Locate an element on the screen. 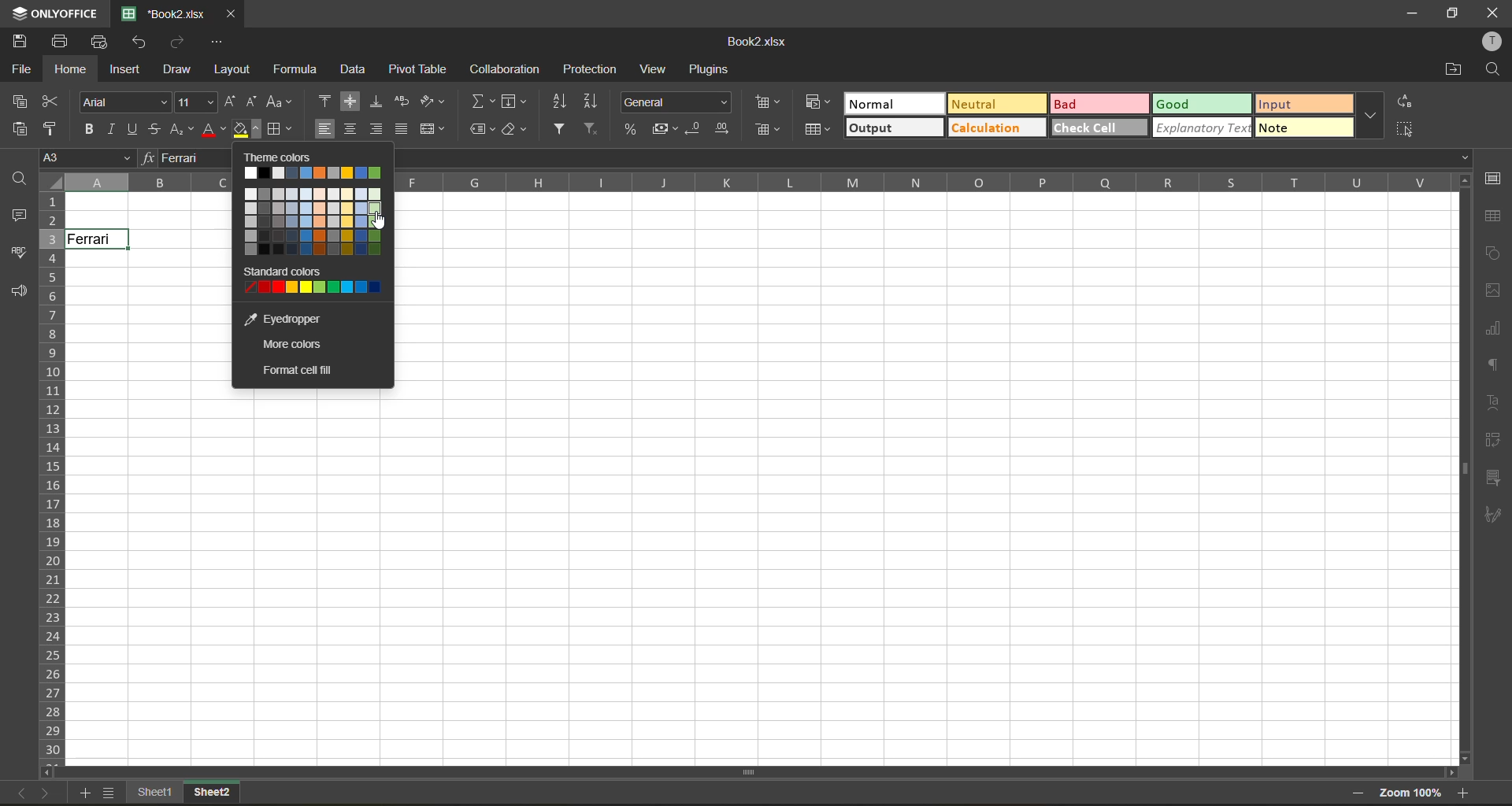  conditional formatting is located at coordinates (770, 104).